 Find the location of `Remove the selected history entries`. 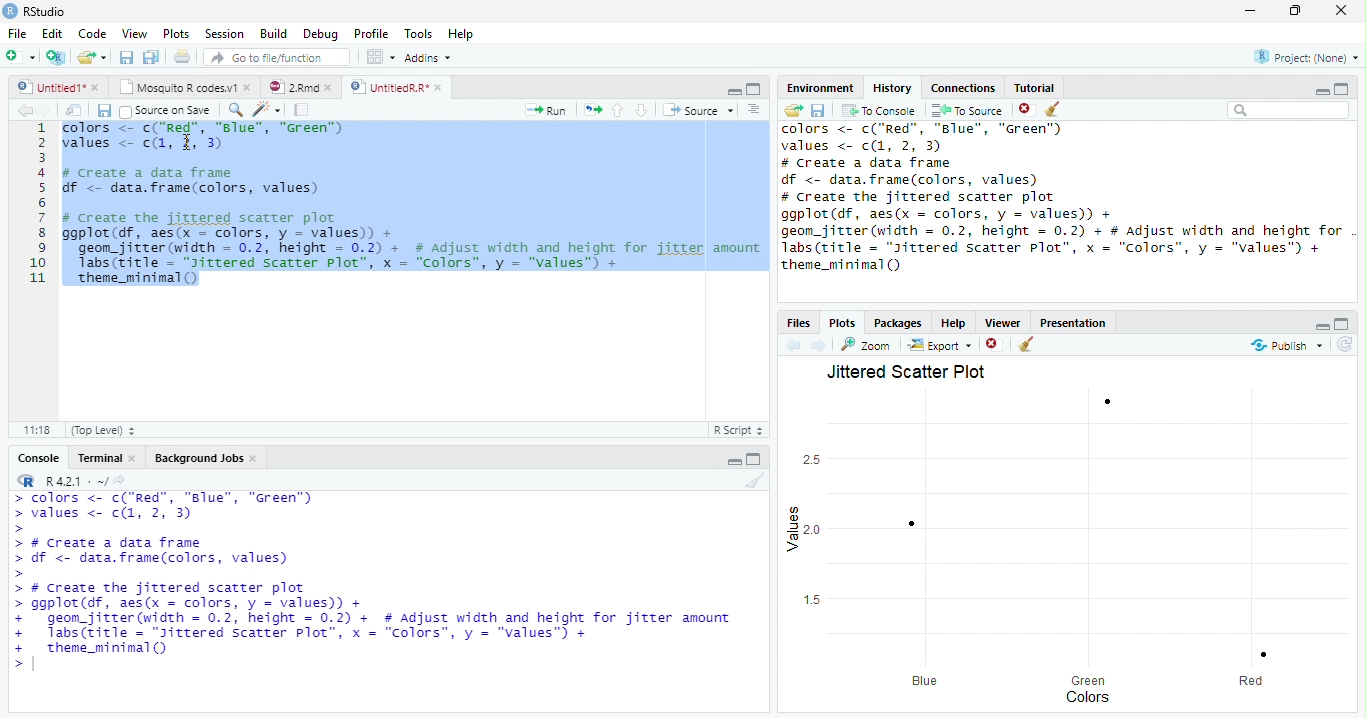

Remove the selected history entries is located at coordinates (1027, 110).